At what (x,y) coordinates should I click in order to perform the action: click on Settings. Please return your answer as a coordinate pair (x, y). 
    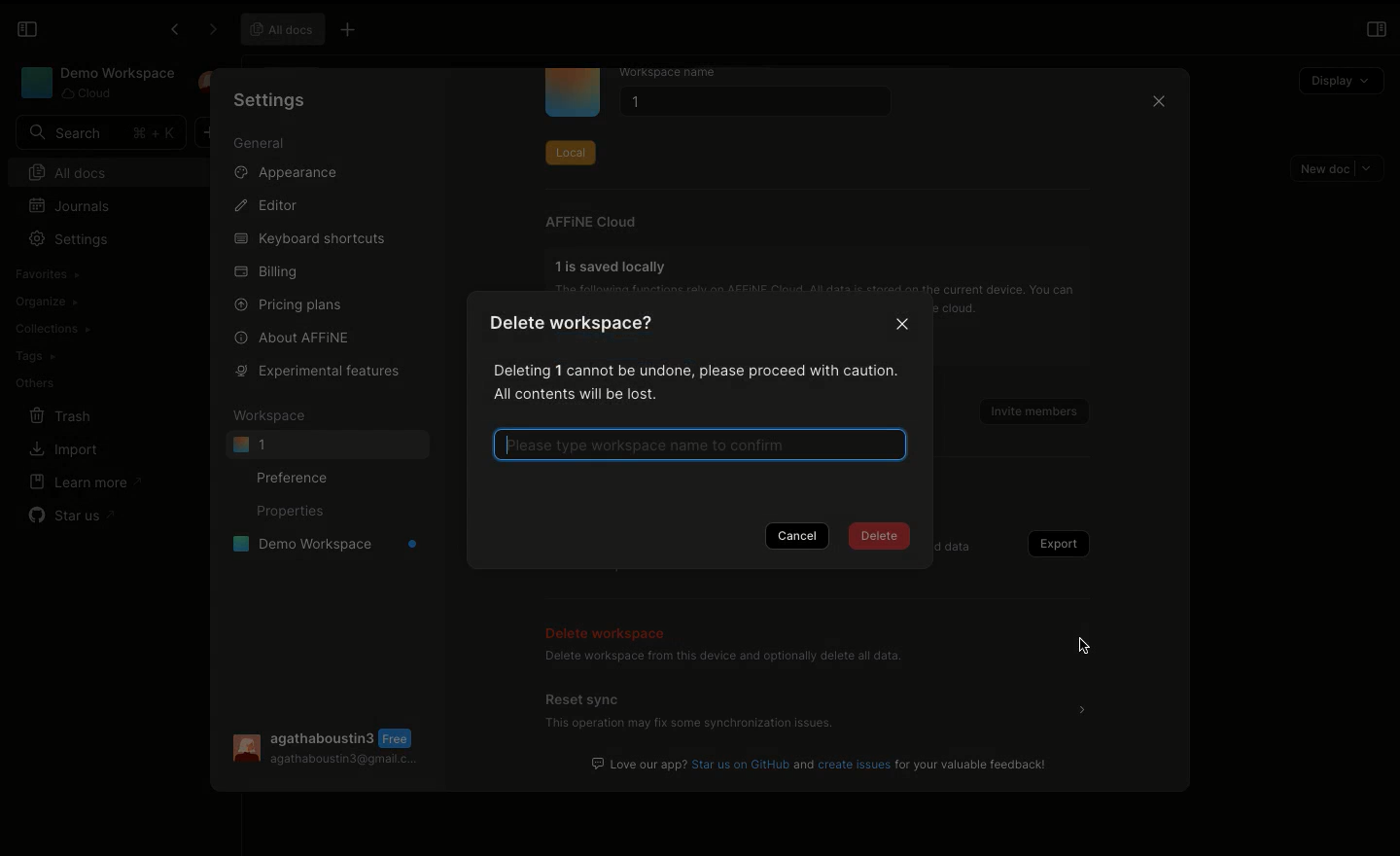
    Looking at the image, I should click on (74, 239).